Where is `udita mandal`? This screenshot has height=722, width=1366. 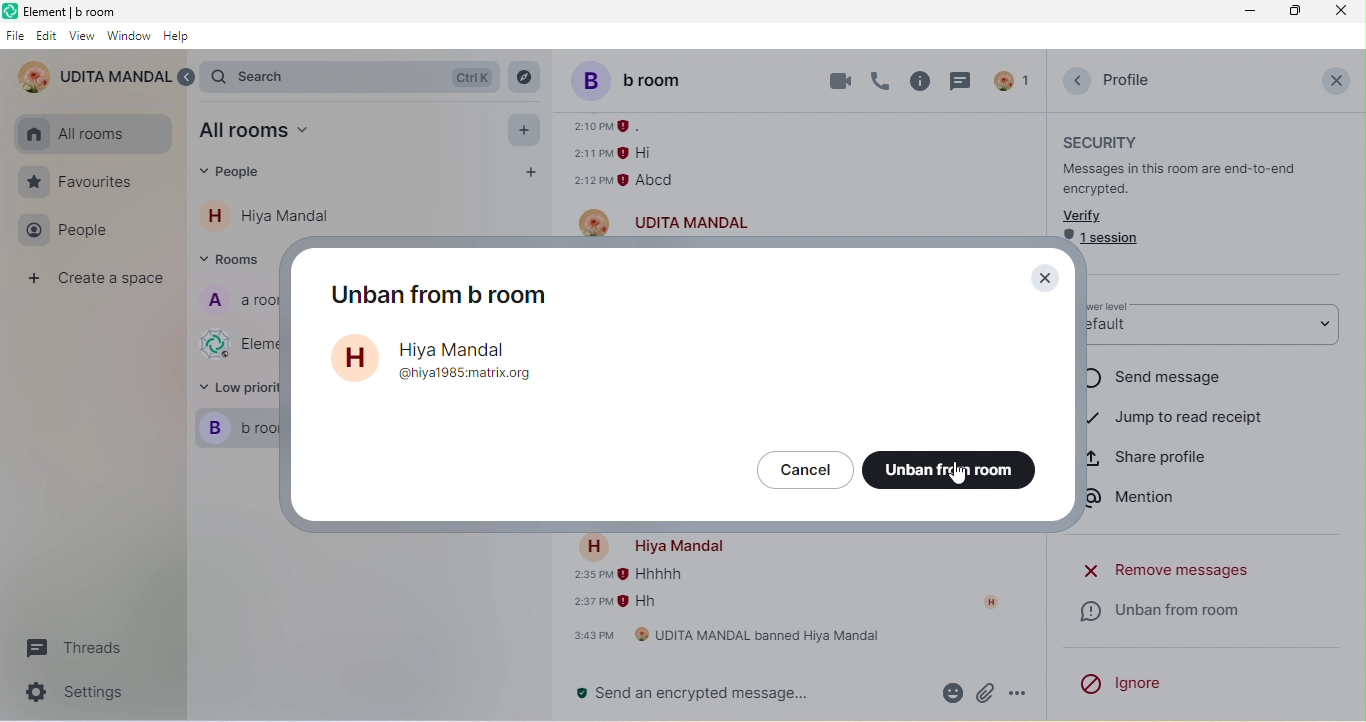 udita mandal is located at coordinates (695, 224).